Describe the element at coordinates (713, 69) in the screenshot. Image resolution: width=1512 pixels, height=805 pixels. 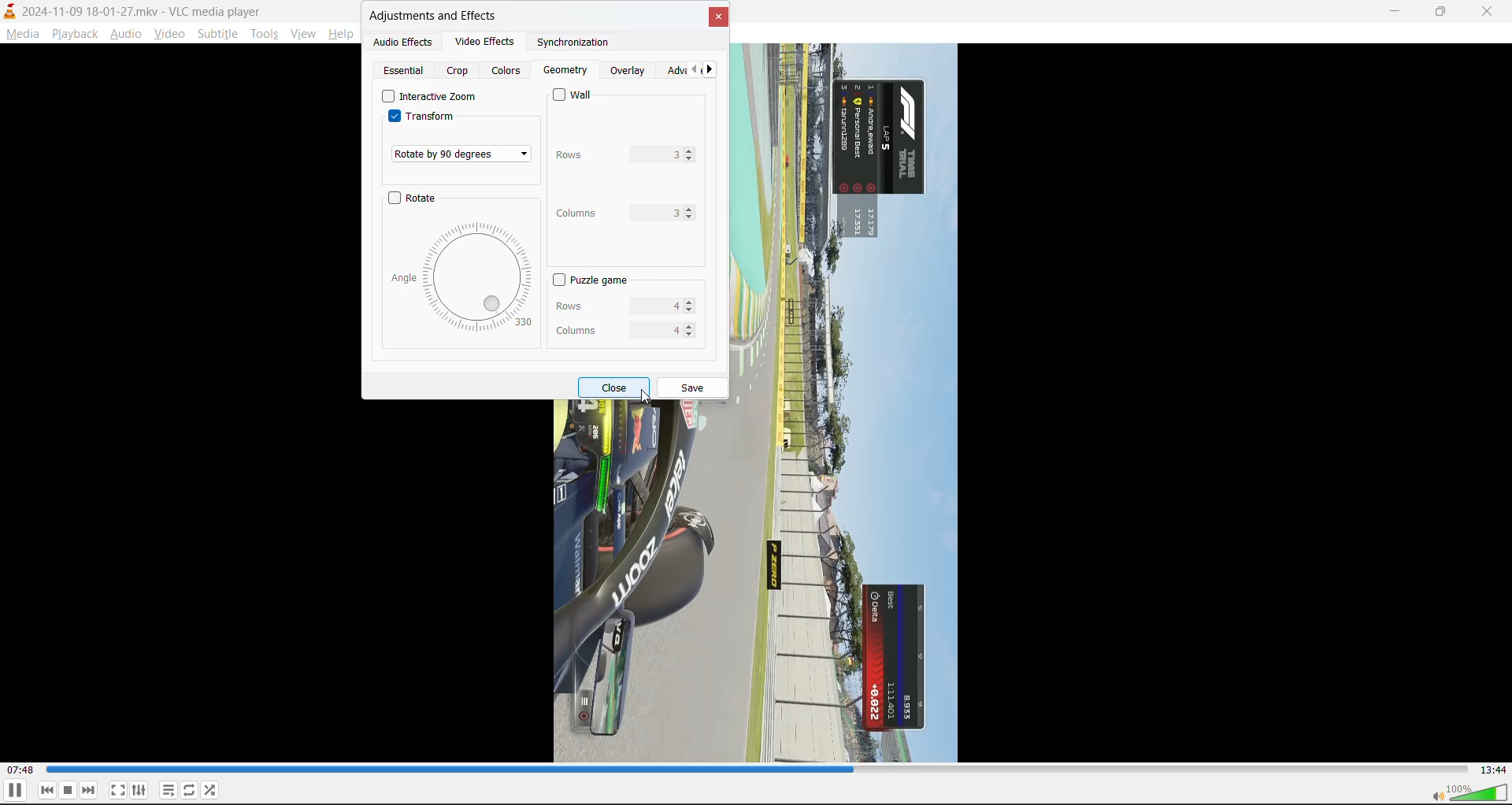
I see `next` at that location.